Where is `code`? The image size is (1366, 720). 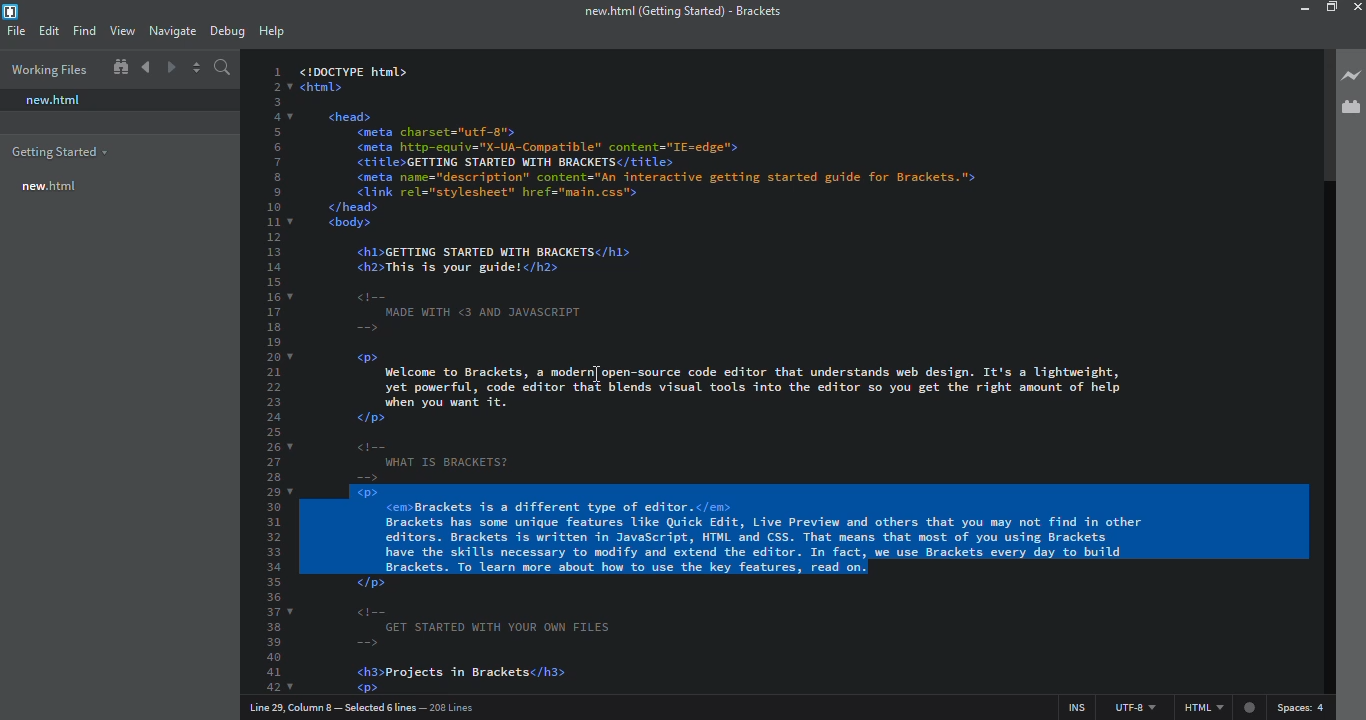
code is located at coordinates (515, 636).